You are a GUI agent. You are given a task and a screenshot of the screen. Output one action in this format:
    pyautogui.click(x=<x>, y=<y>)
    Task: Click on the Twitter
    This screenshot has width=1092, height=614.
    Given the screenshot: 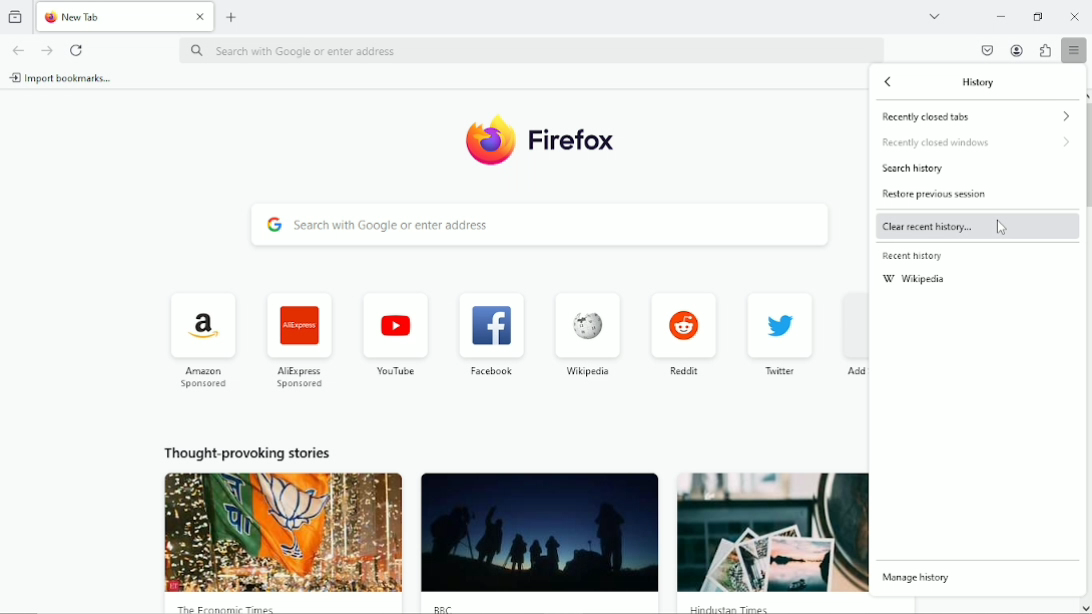 What is the action you would take?
    pyautogui.click(x=782, y=332)
    